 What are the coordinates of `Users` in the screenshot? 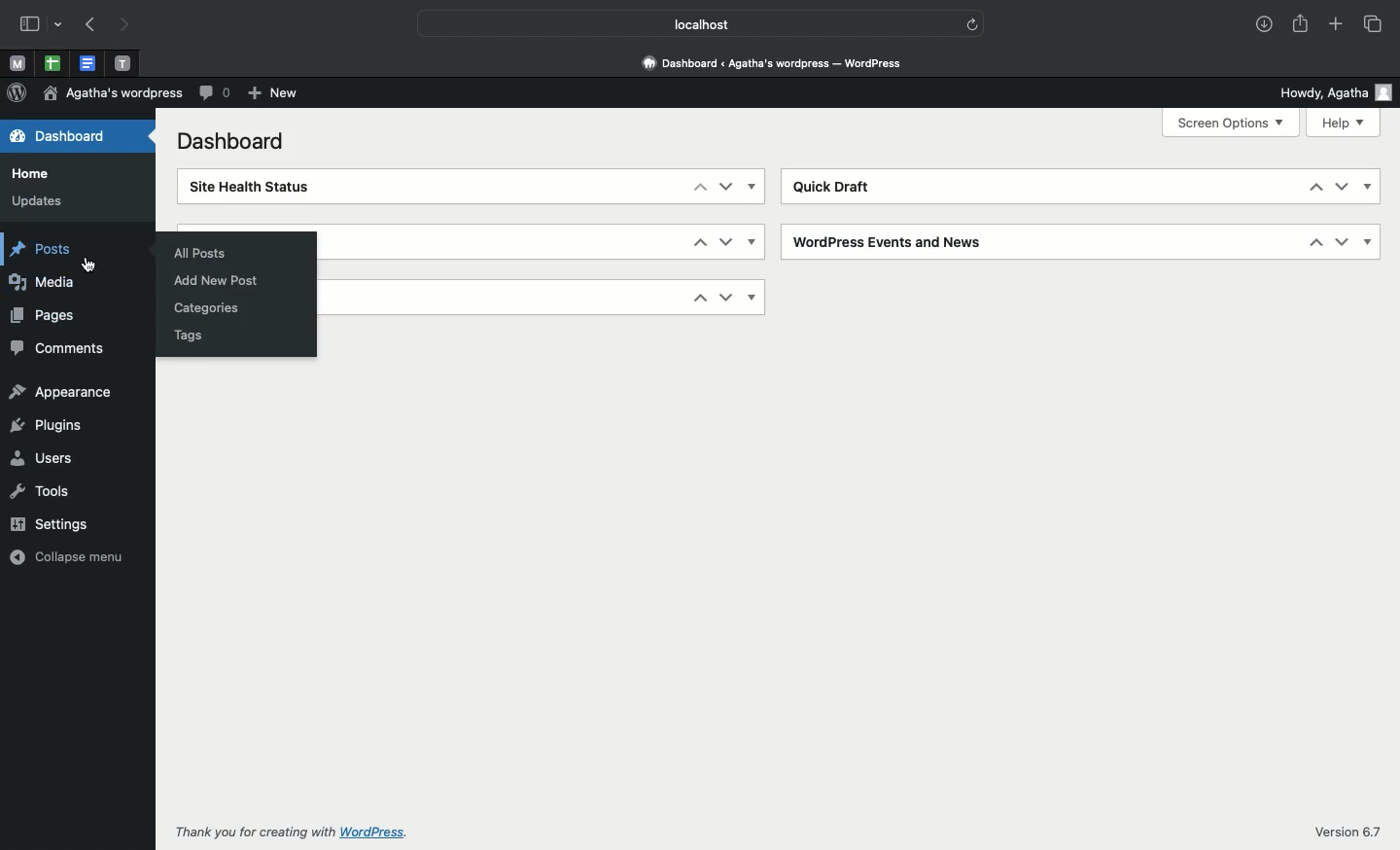 It's located at (42, 457).